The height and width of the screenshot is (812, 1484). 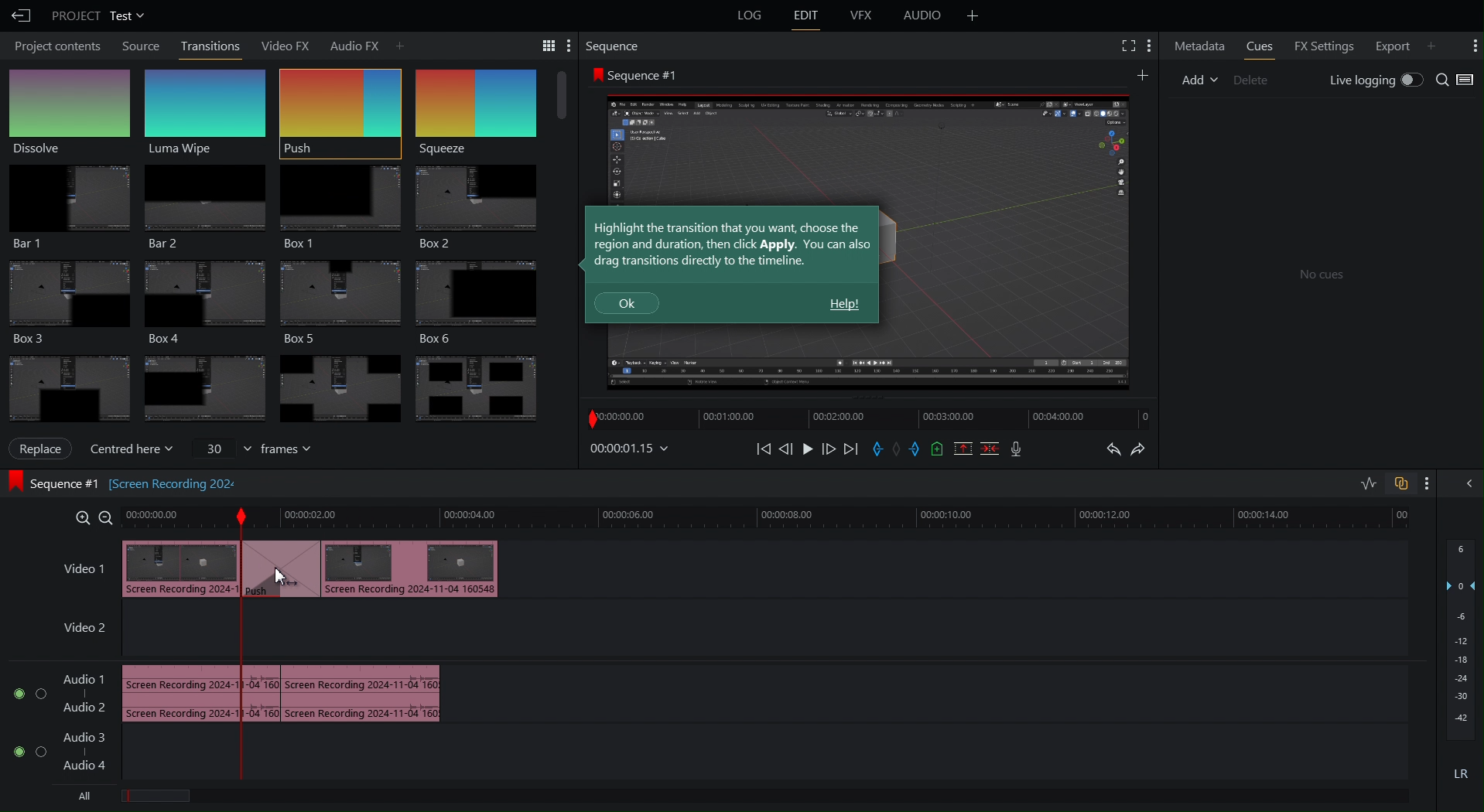 What do you see at coordinates (1110, 451) in the screenshot?
I see `Undo` at bounding box center [1110, 451].